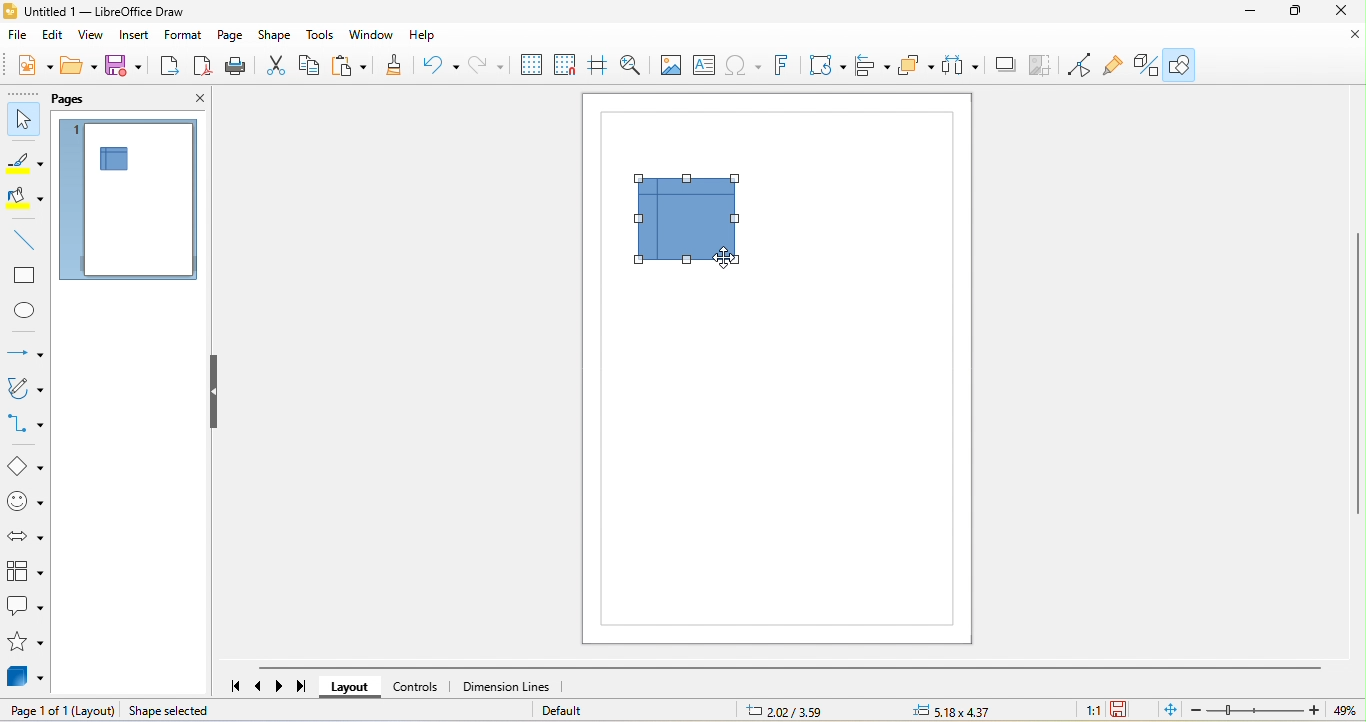 The image size is (1366, 722). I want to click on untitled 1- libre office draw, so click(103, 12).